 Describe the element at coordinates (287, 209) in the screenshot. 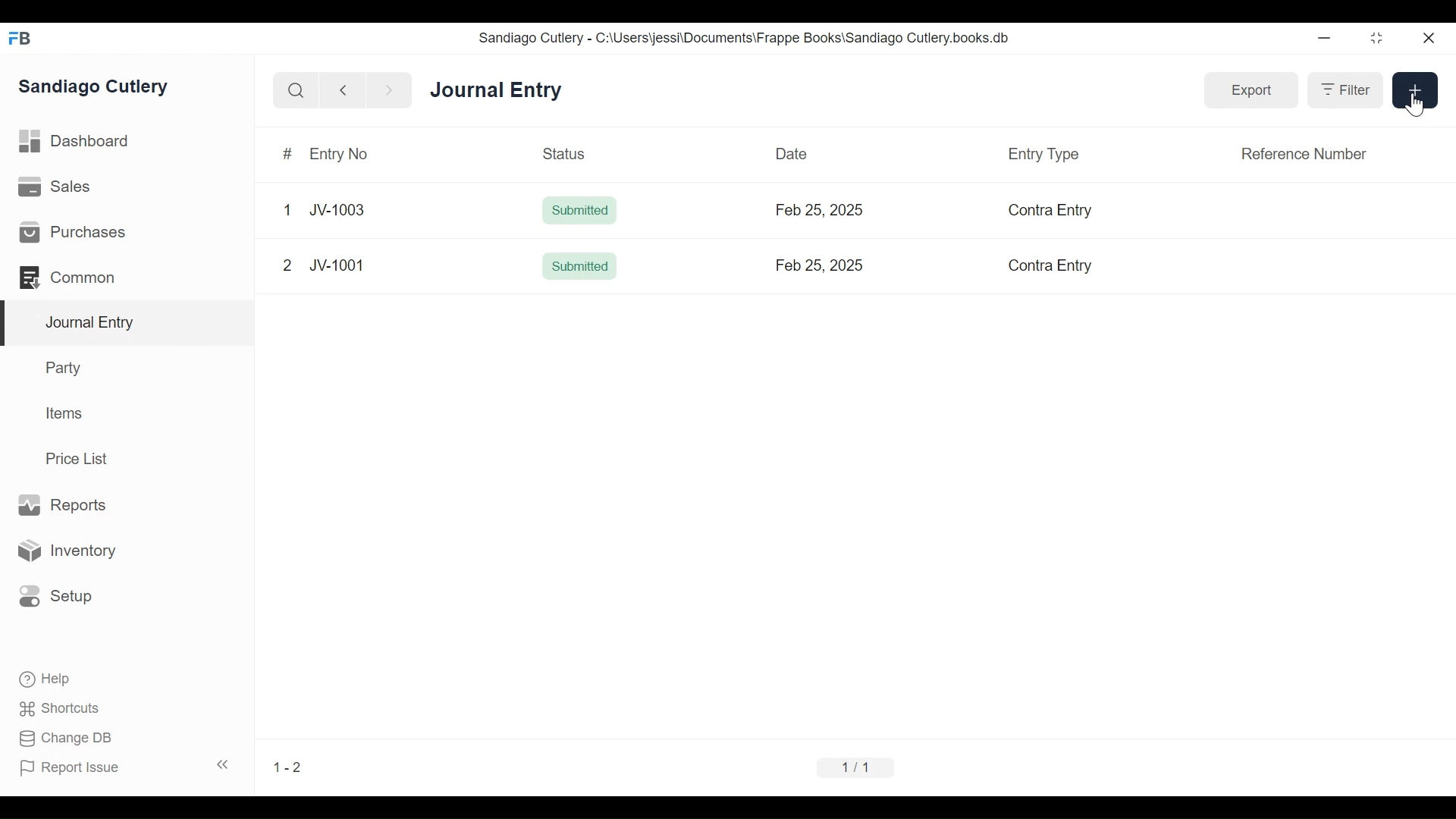

I see `1` at that location.